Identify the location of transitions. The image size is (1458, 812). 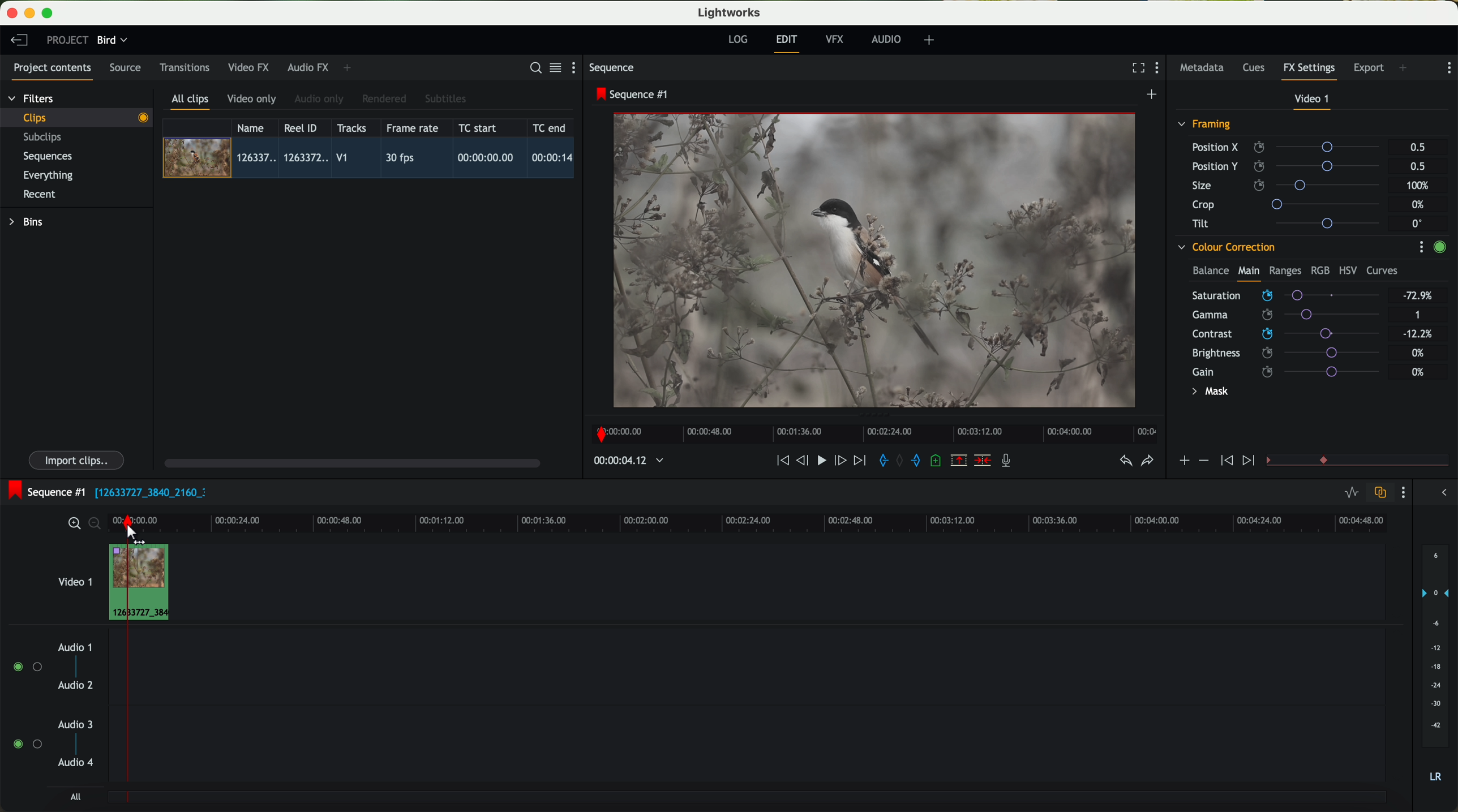
(184, 67).